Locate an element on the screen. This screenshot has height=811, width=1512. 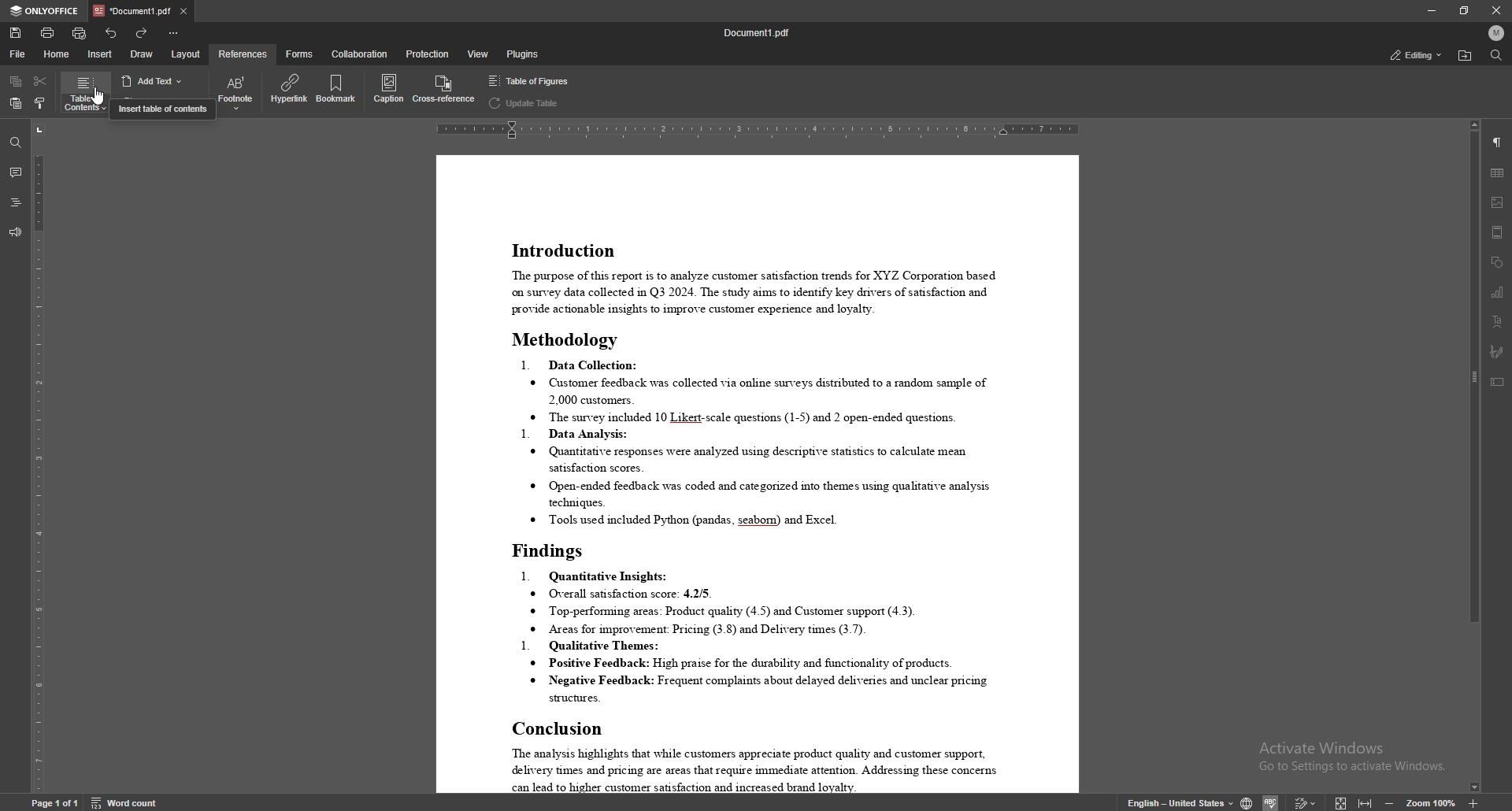
change doc language is located at coordinates (1246, 803).